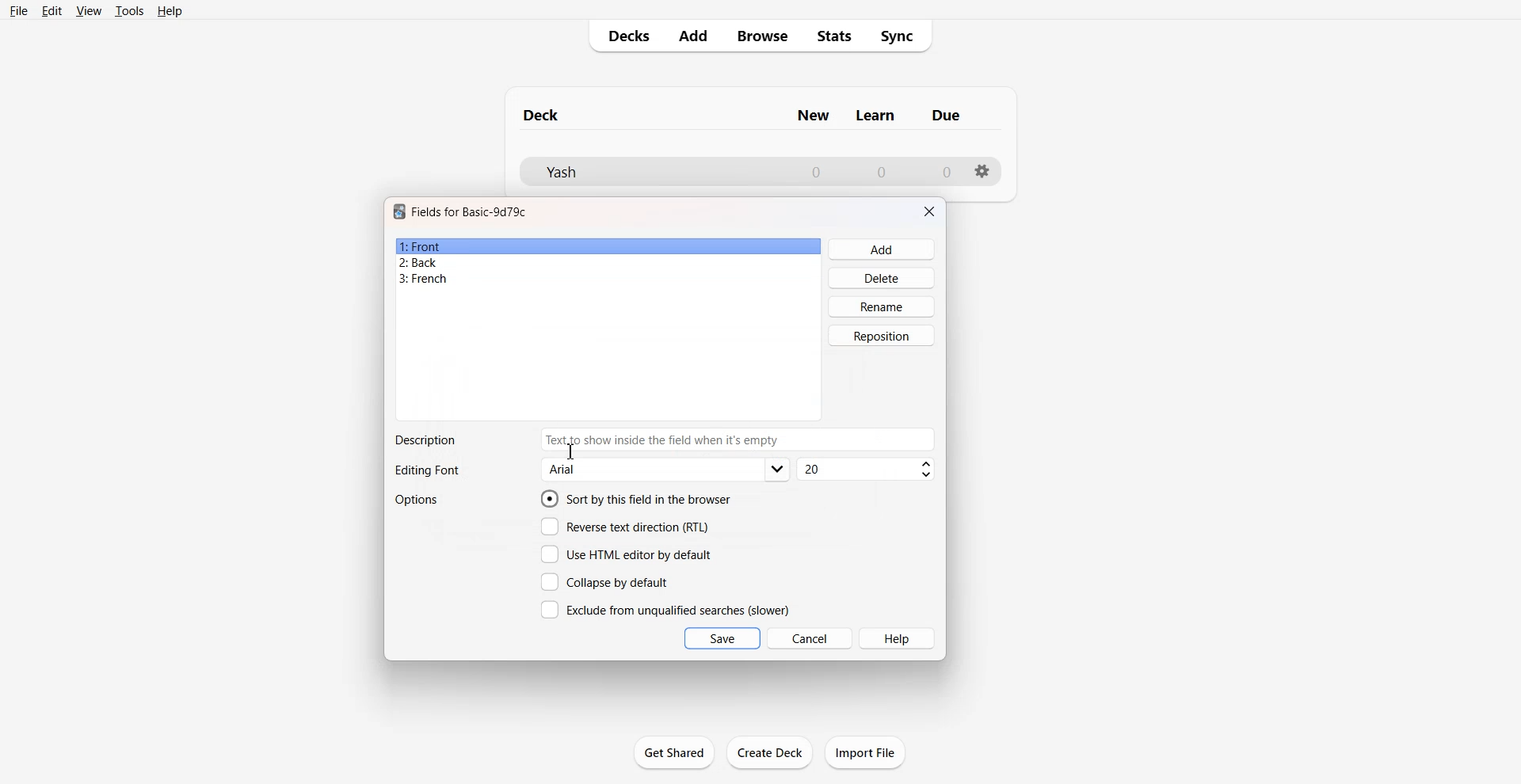 Image resolution: width=1521 pixels, height=784 pixels. Describe the element at coordinates (666, 470) in the screenshot. I see `Editing font options` at that location.